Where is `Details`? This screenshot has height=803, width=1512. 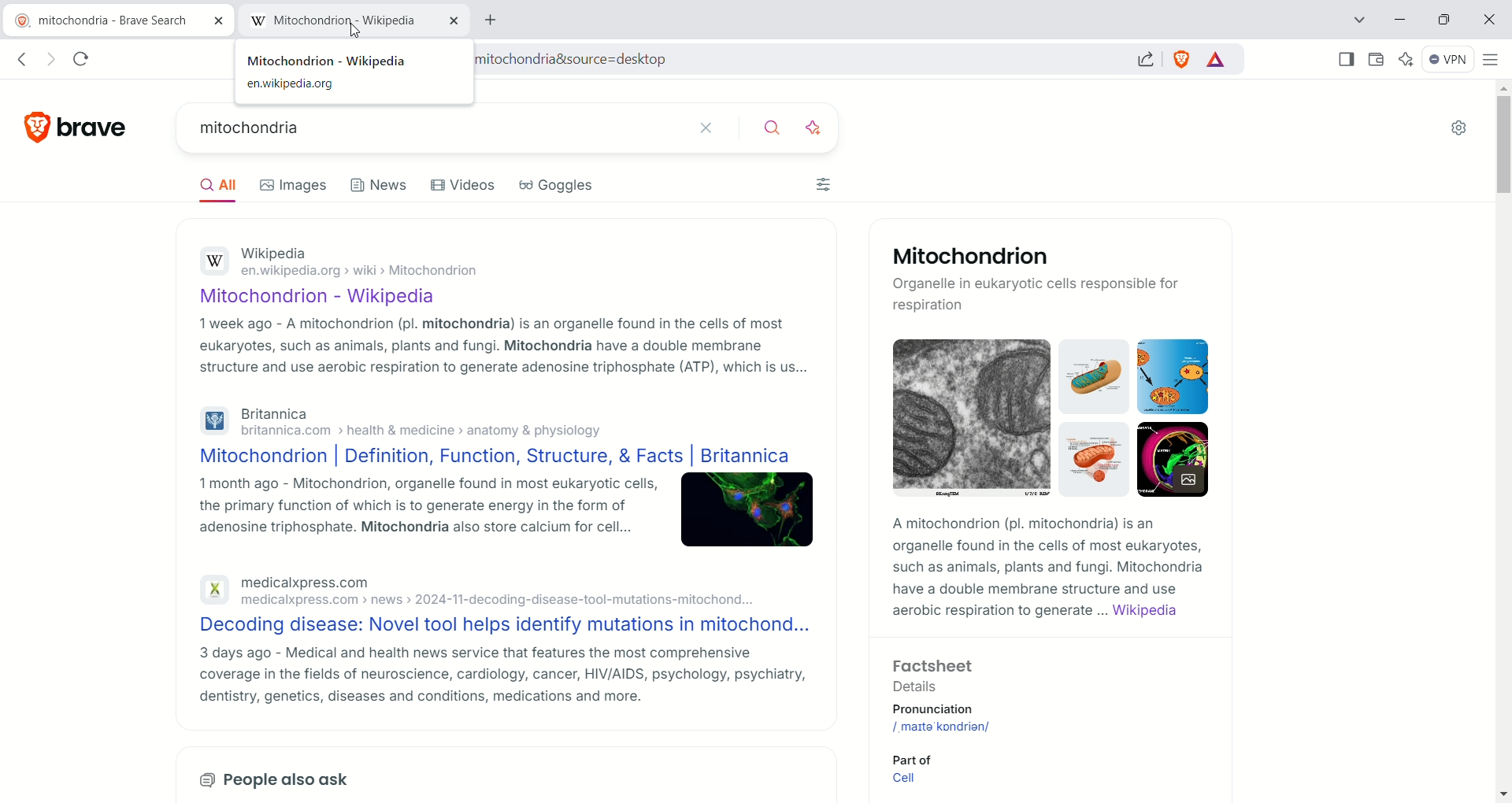 Details is located at coordinates (915, 686).